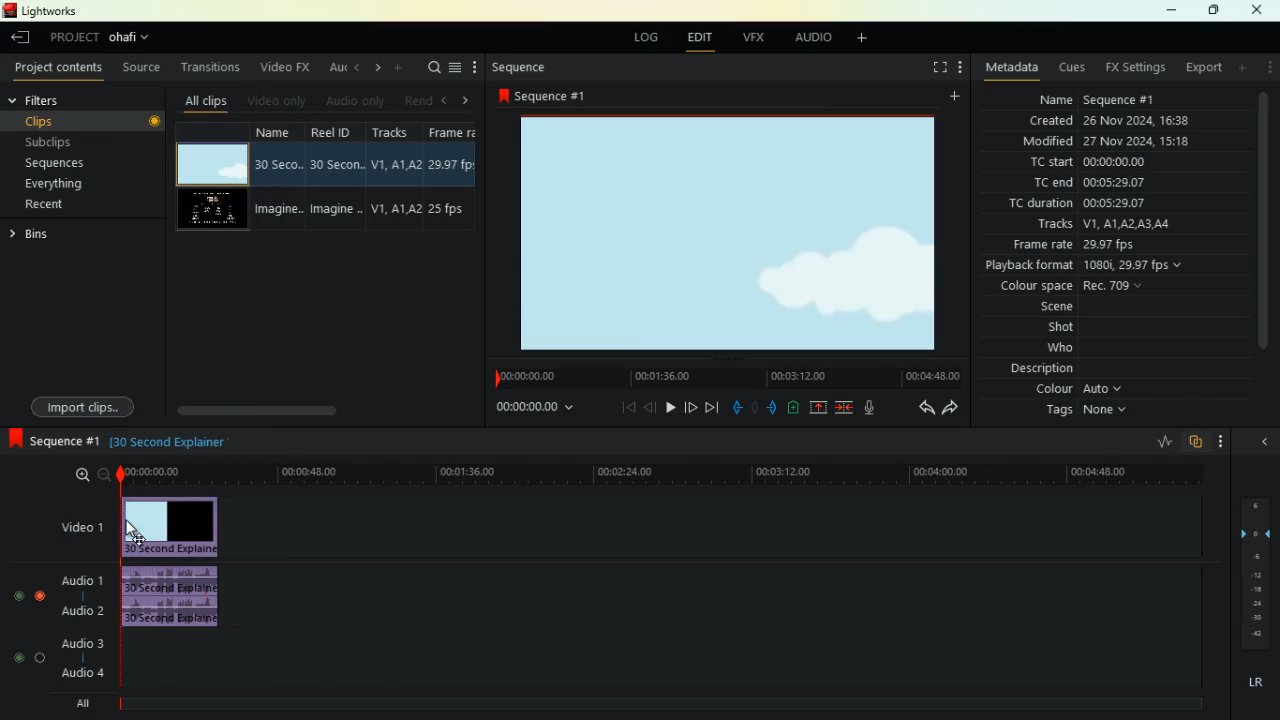  I want to click on up, so click(818, 408).